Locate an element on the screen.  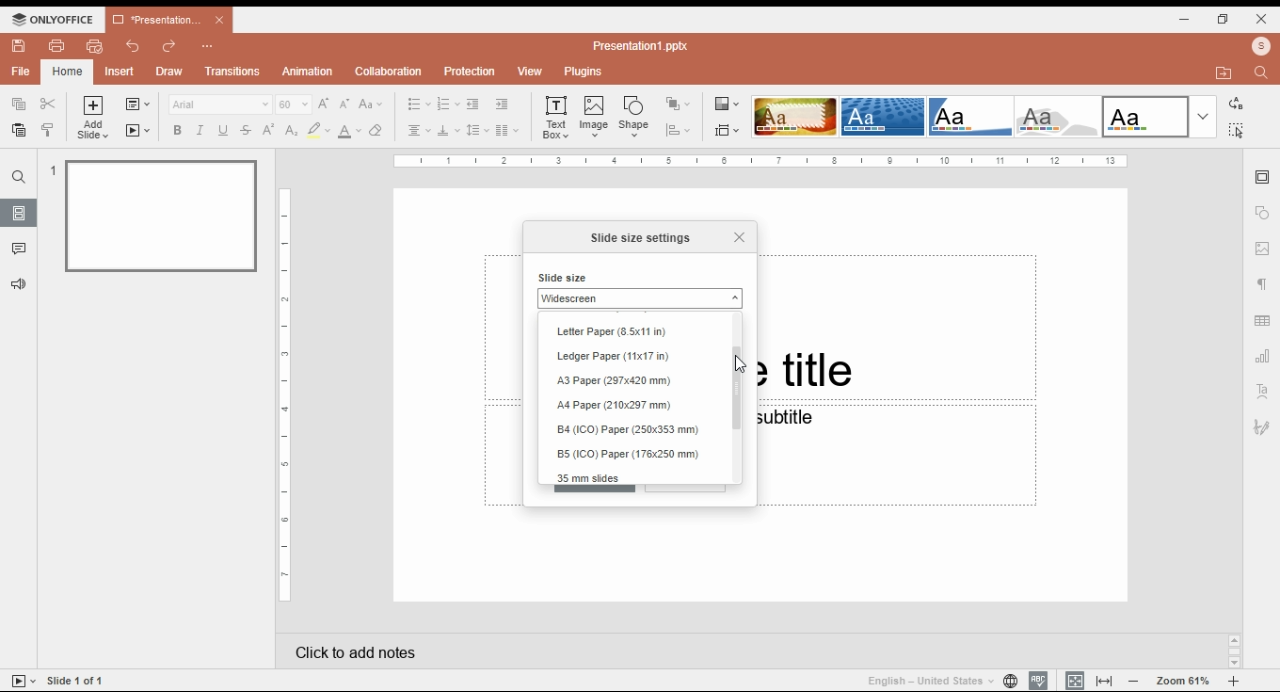
35 mm slides is located at coordinates (592, 477).